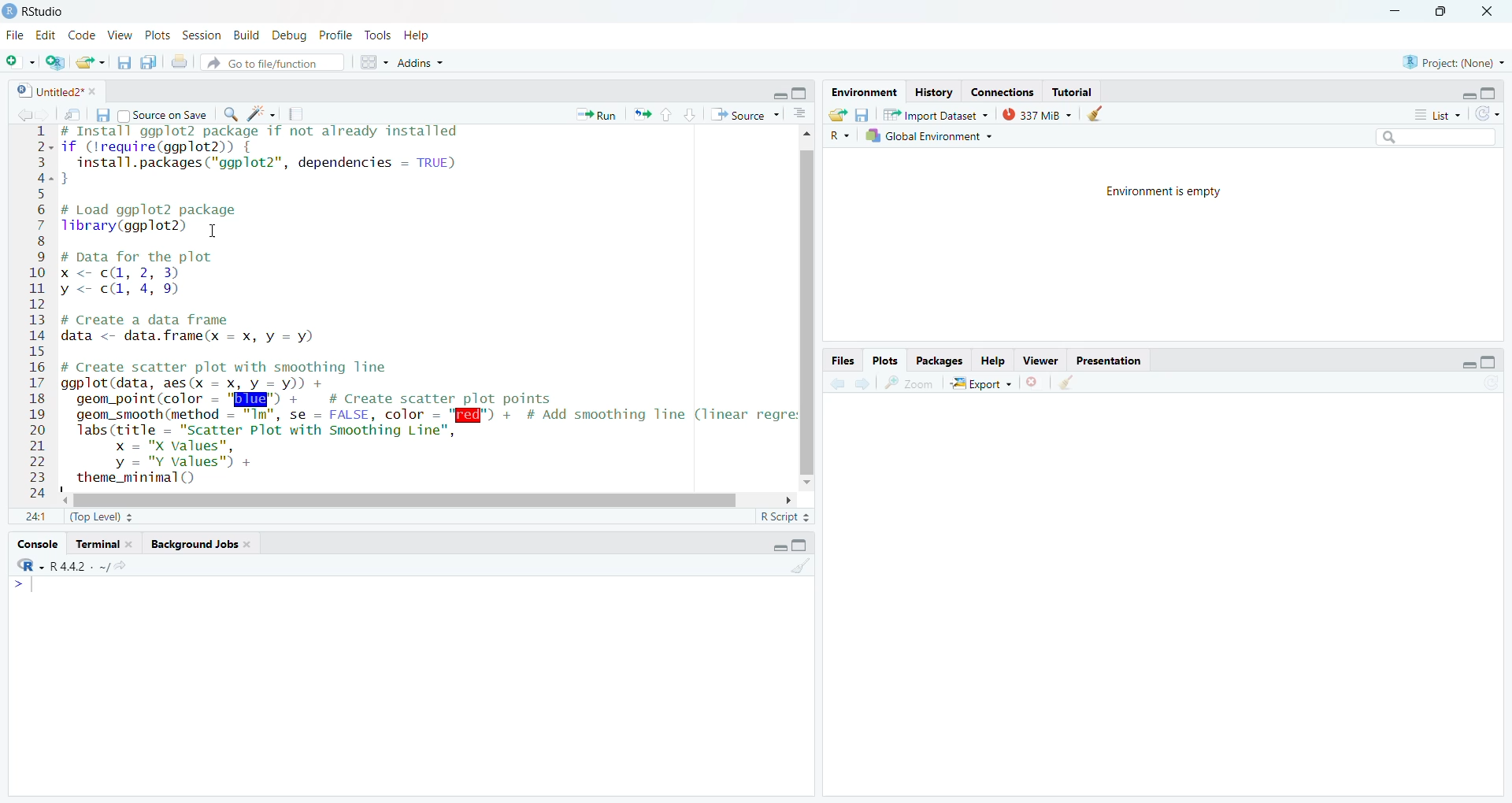 This screenshot has width=1512, height=803. Describe the element at coordinates (1066, 383) in the screenshot. I see `clear all plots` at that location.